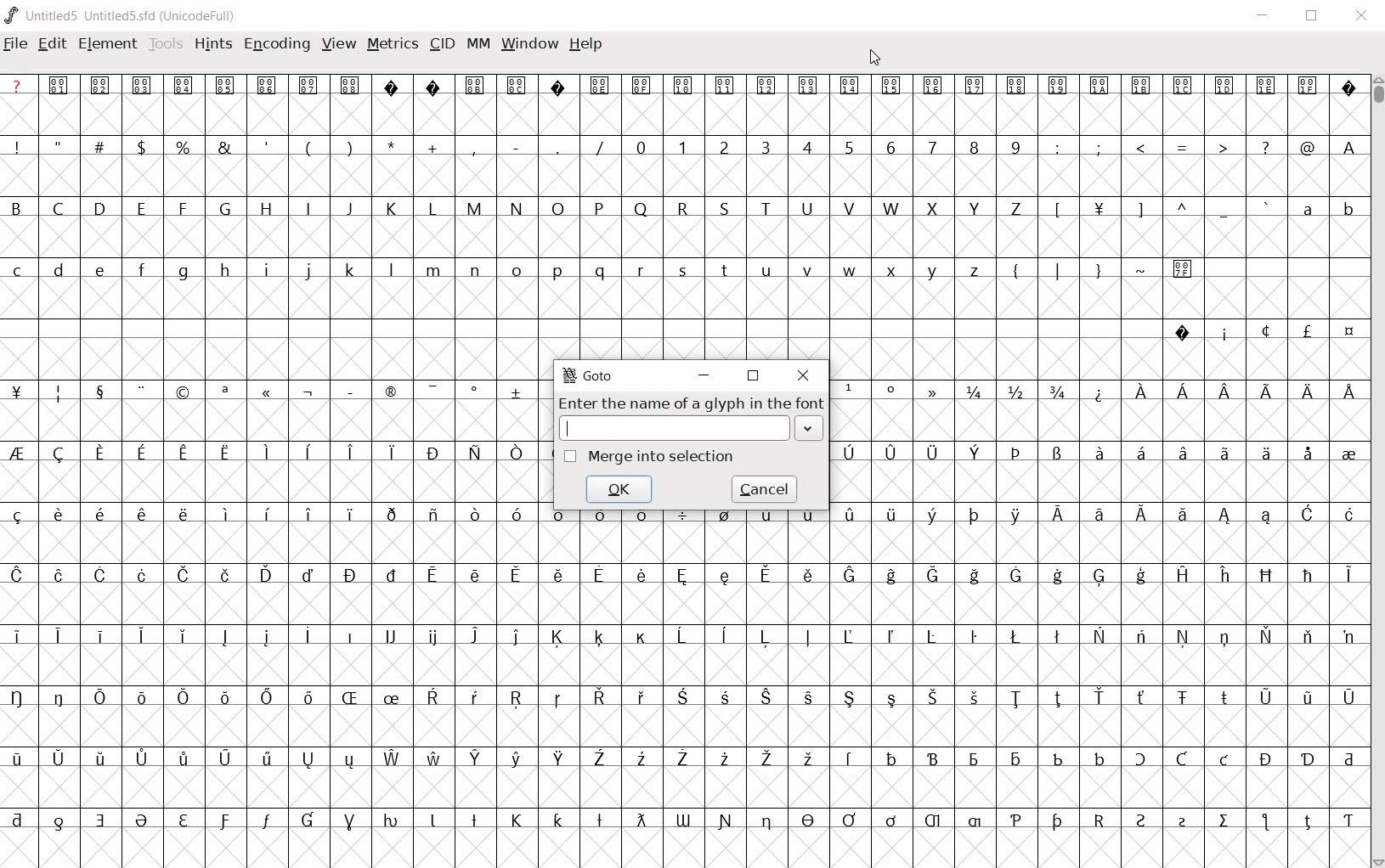  I want to click on j, so click(308, 272).